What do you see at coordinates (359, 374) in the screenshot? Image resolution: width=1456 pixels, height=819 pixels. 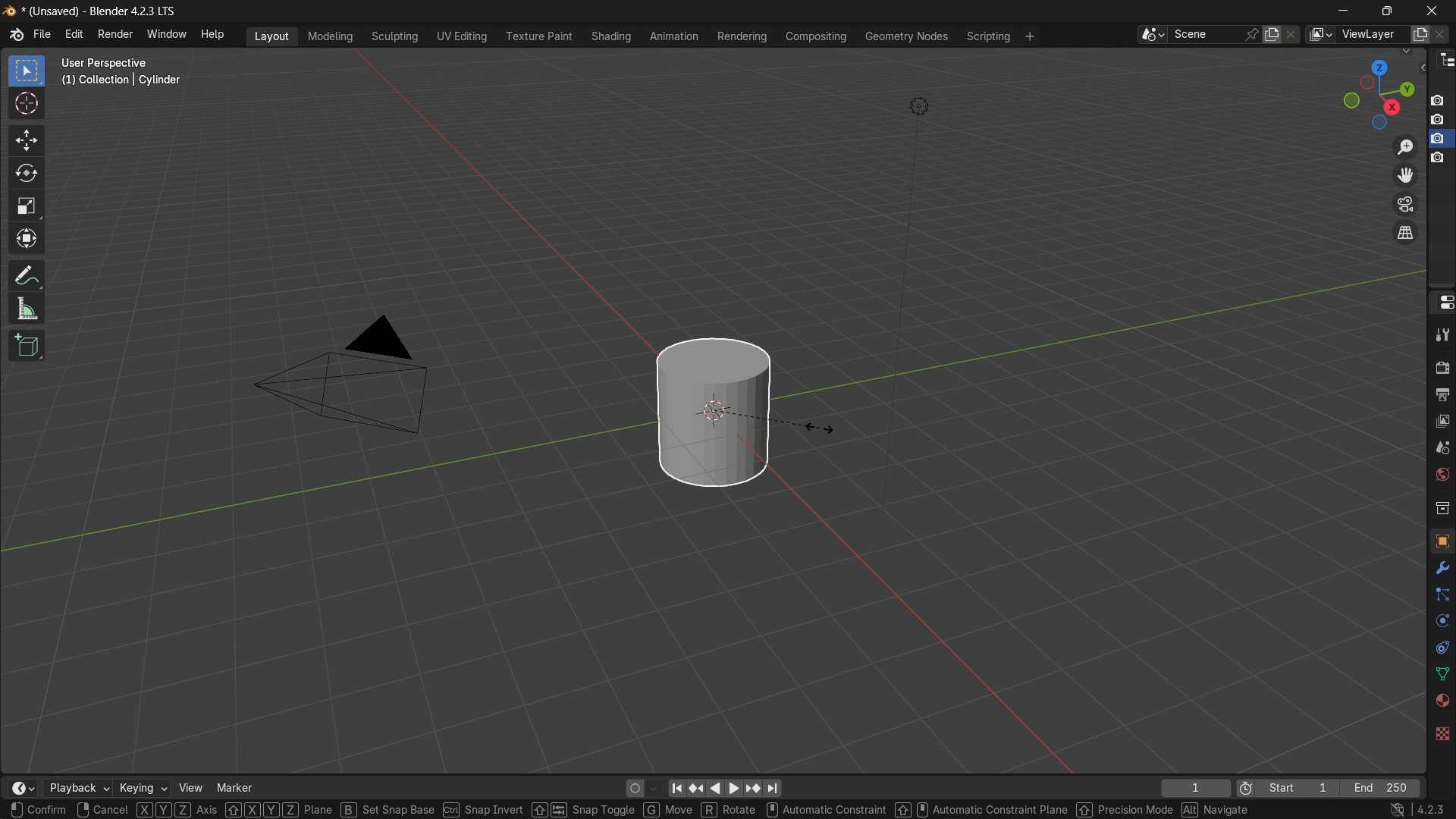 I see `camera` at bounding box center [359, 374].